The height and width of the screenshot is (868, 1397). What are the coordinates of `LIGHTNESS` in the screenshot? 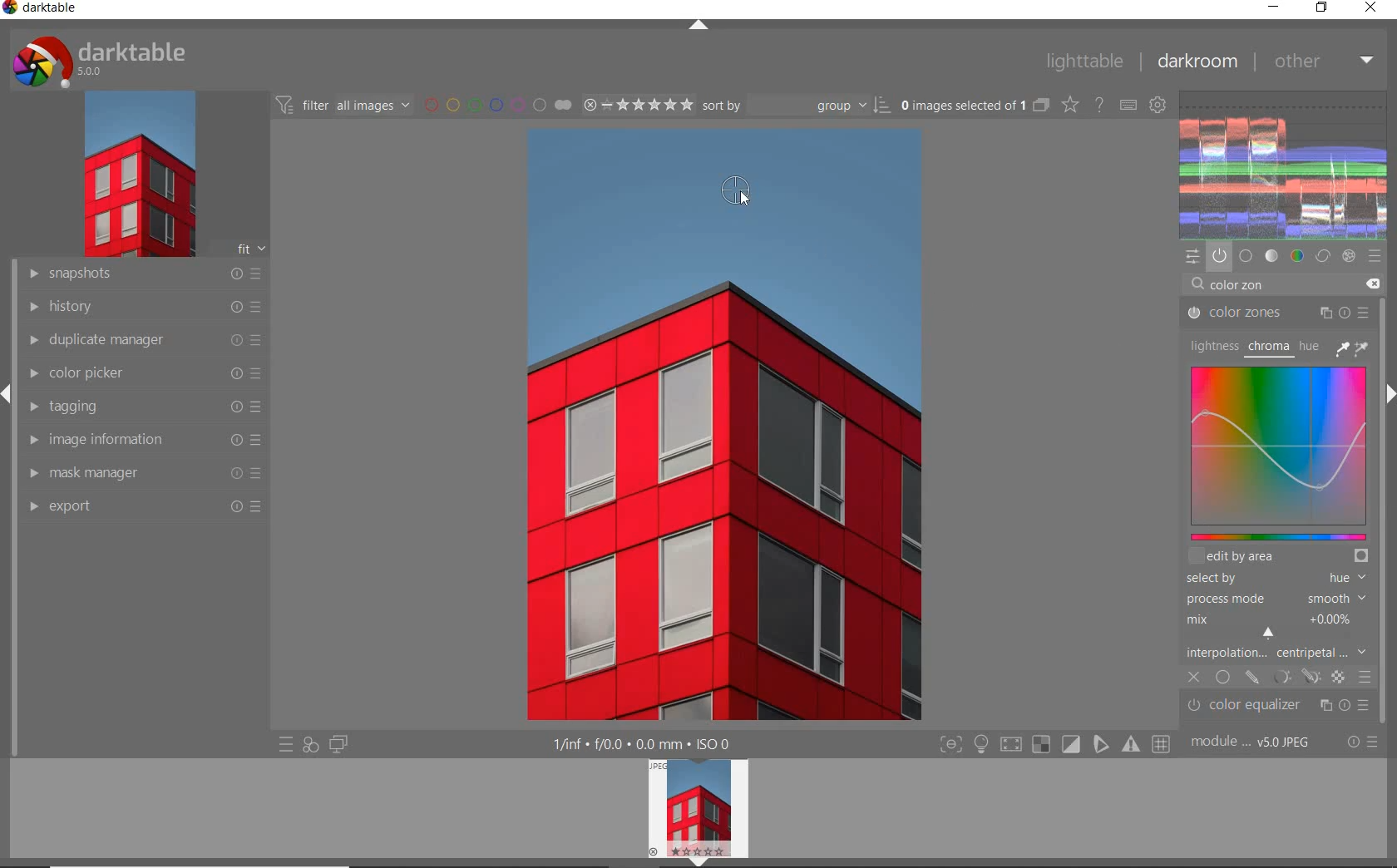 It's located at (1212, 345).